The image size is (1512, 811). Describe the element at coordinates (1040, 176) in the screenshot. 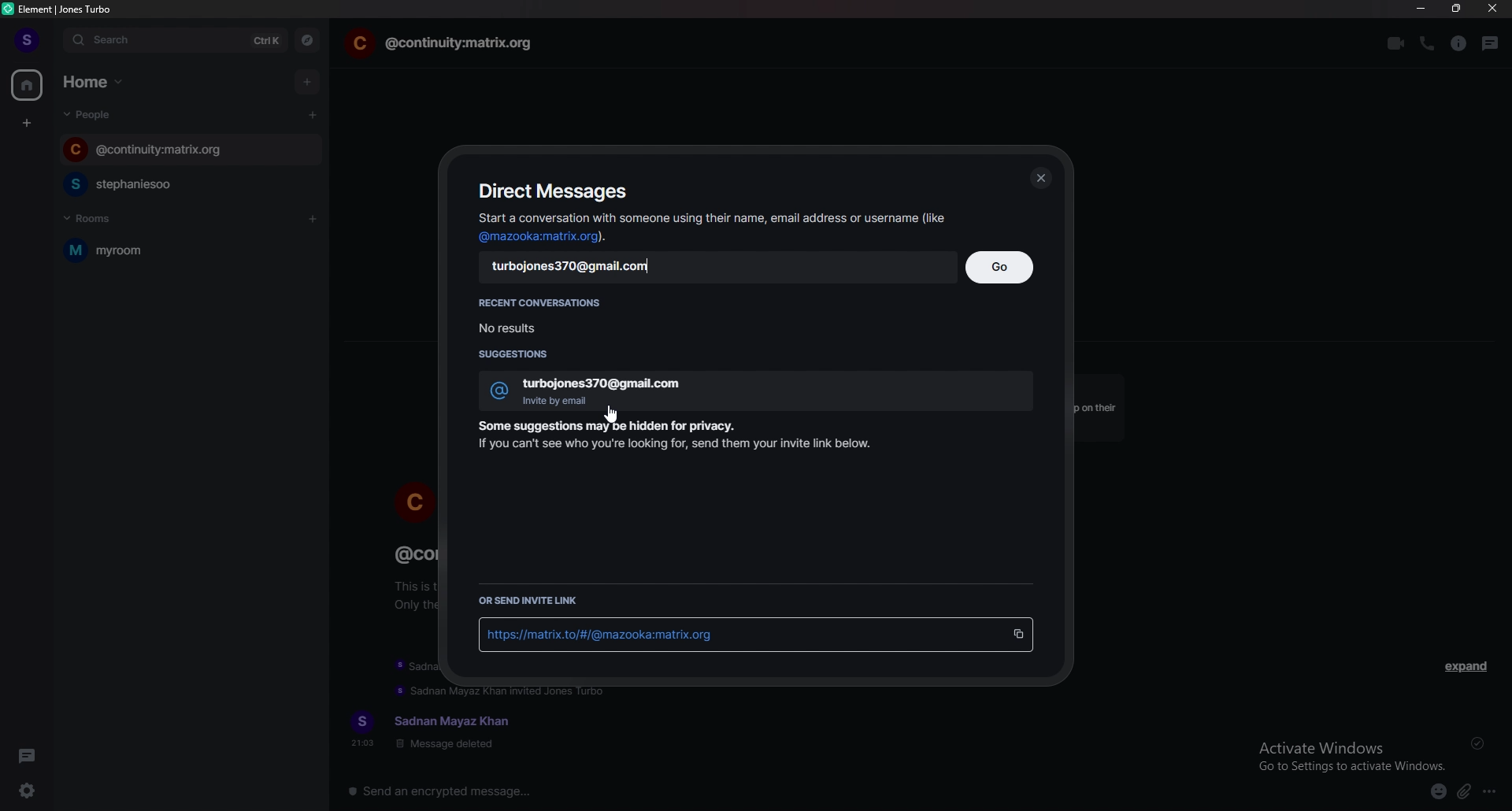

I see `close` at that location.